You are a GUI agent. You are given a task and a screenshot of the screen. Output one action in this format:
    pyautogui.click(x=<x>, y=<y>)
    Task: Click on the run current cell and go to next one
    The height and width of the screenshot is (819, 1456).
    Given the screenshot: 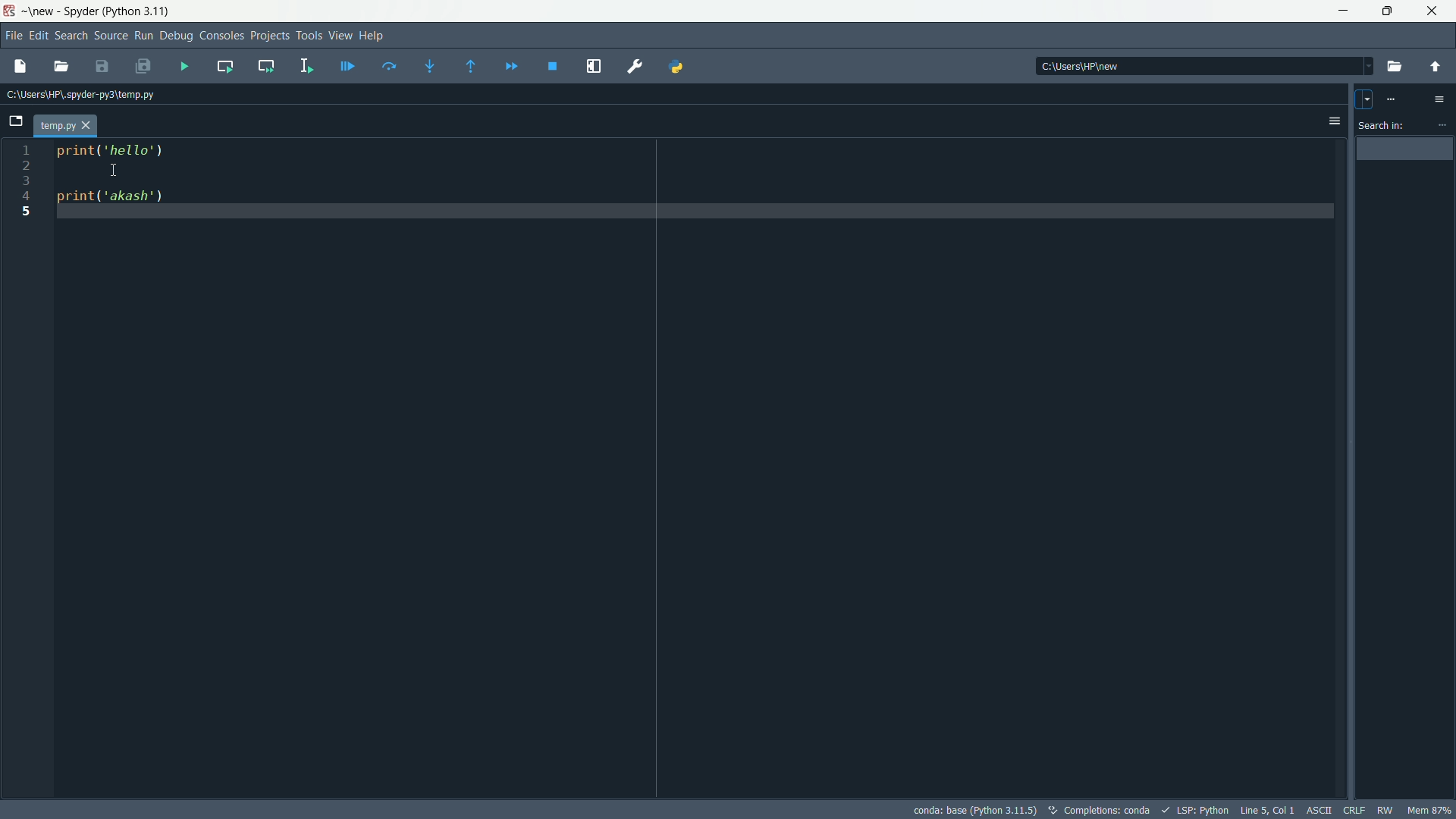 What is the action you would take?
    pyautogui.click(x=265, y=66)
    